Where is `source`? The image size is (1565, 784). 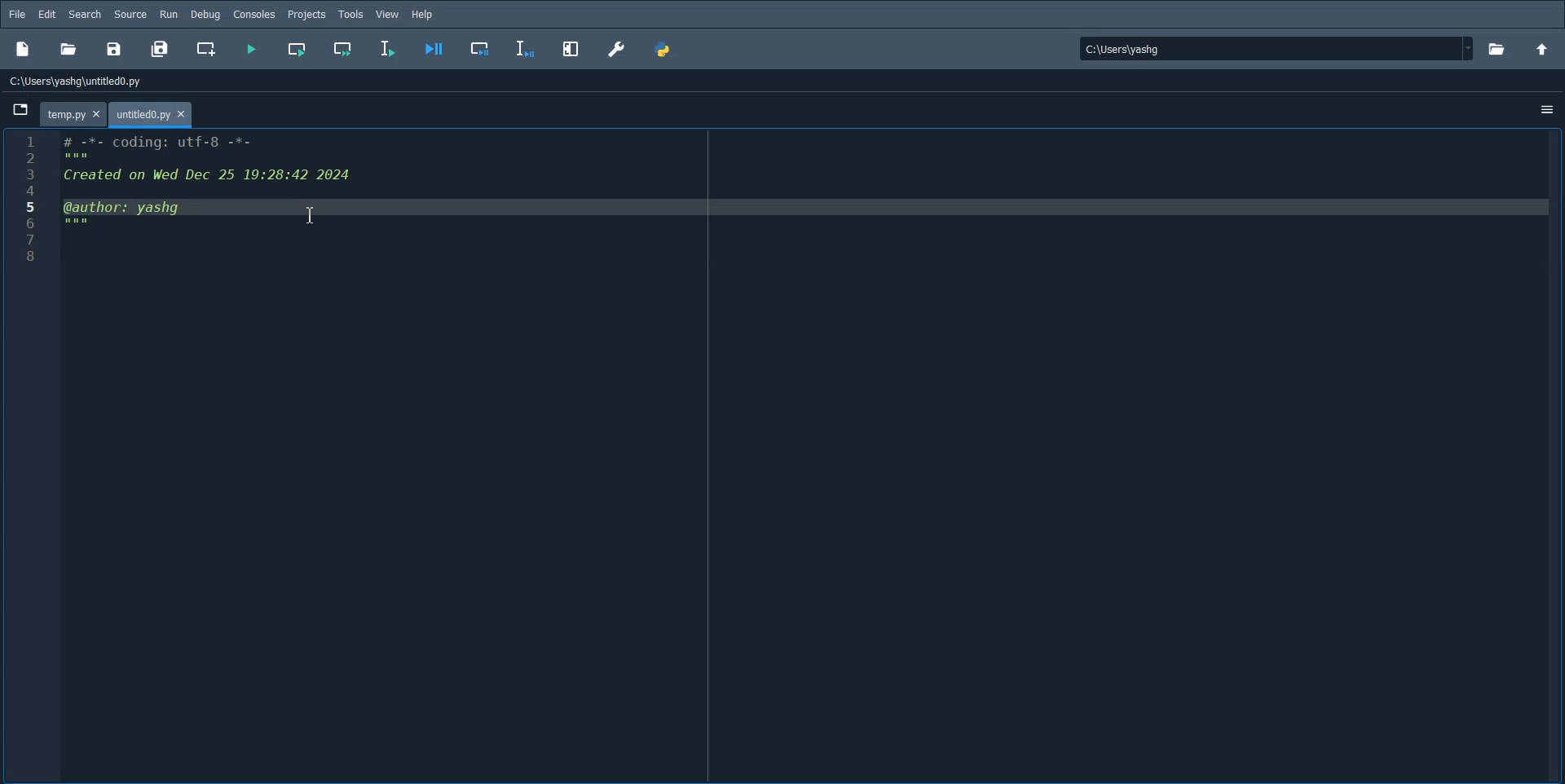
source is located at coordinates (131, 15).